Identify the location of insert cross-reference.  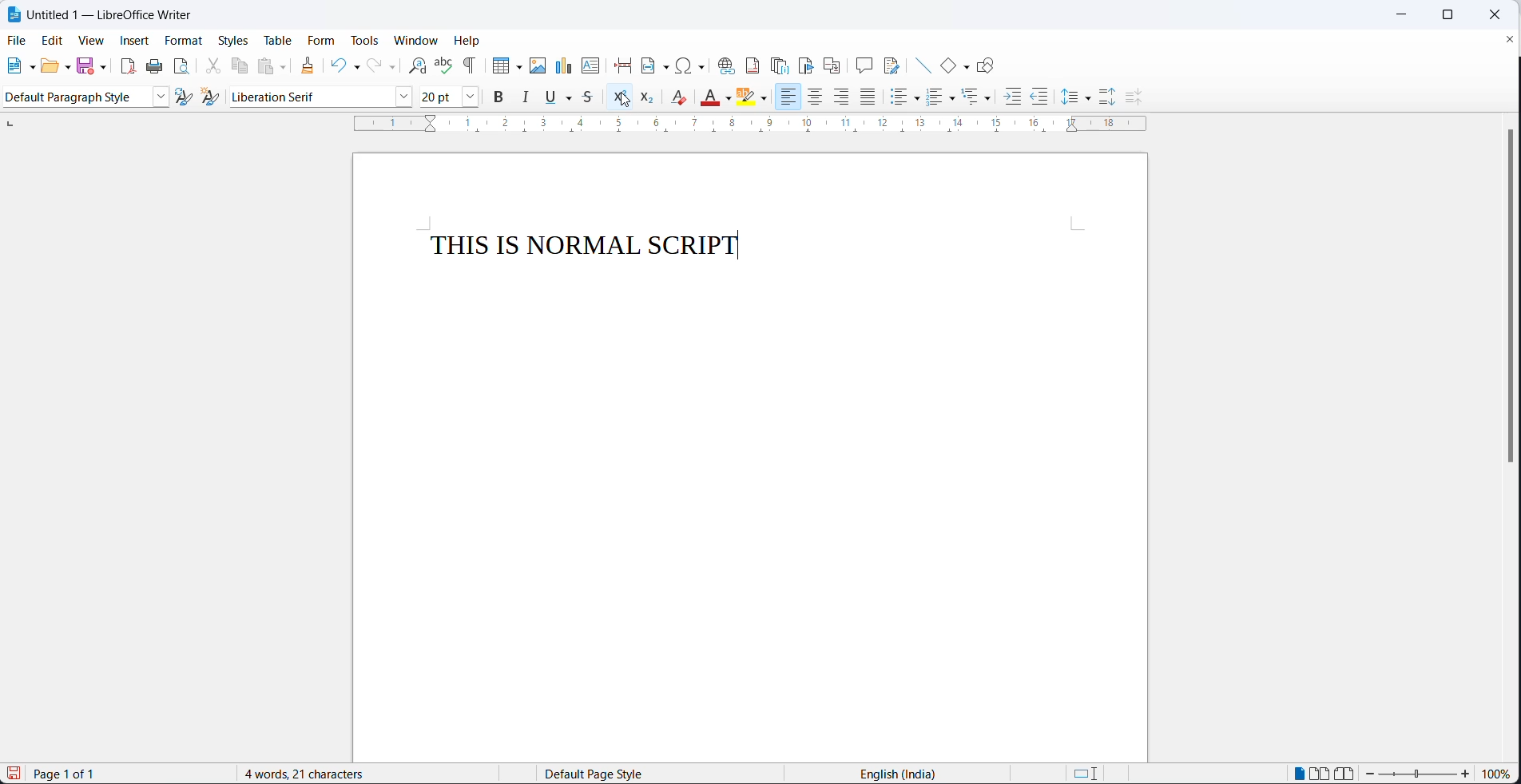
(832, 63).